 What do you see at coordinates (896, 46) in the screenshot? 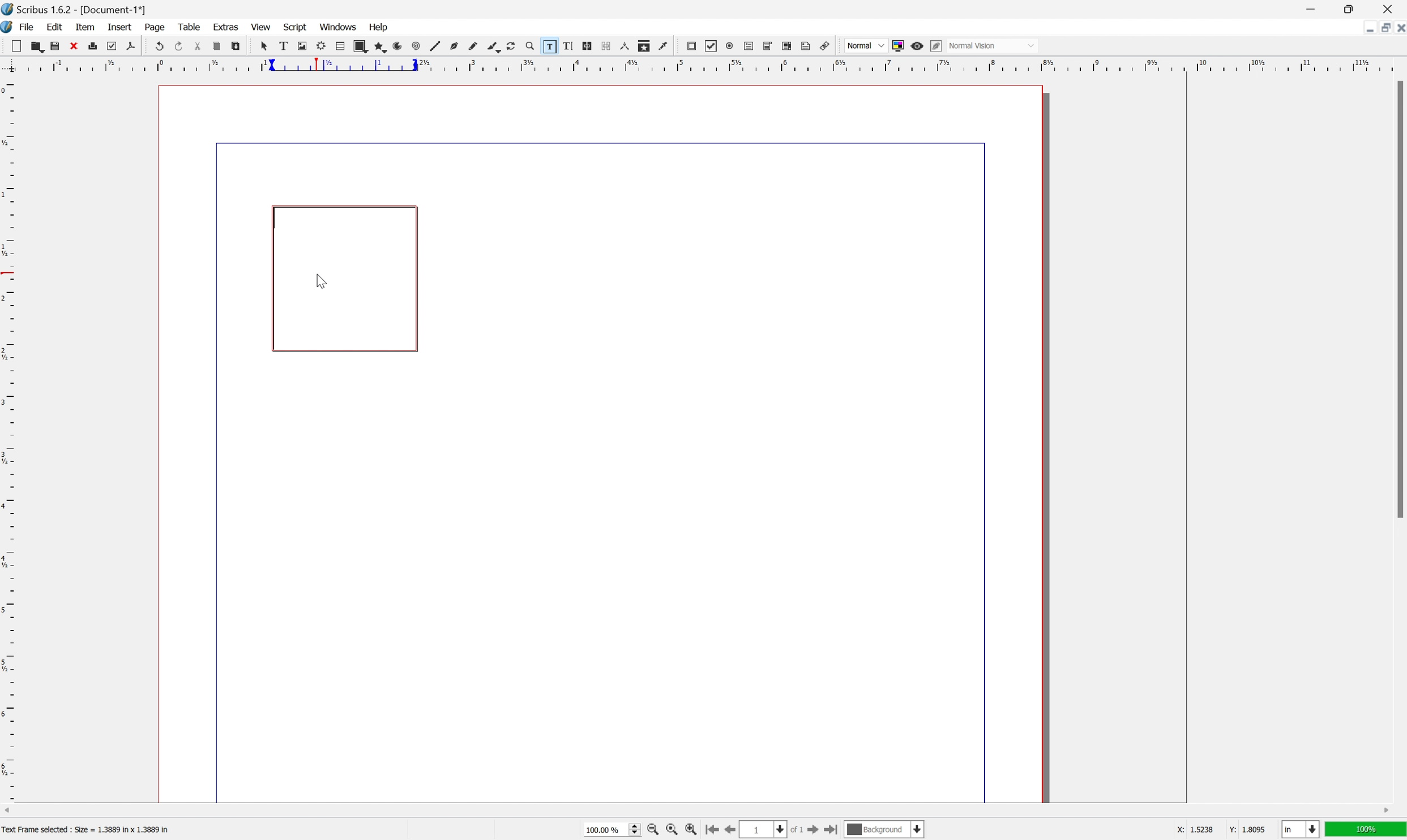
I see `toggle color management system` at bounding box center [896, 46].